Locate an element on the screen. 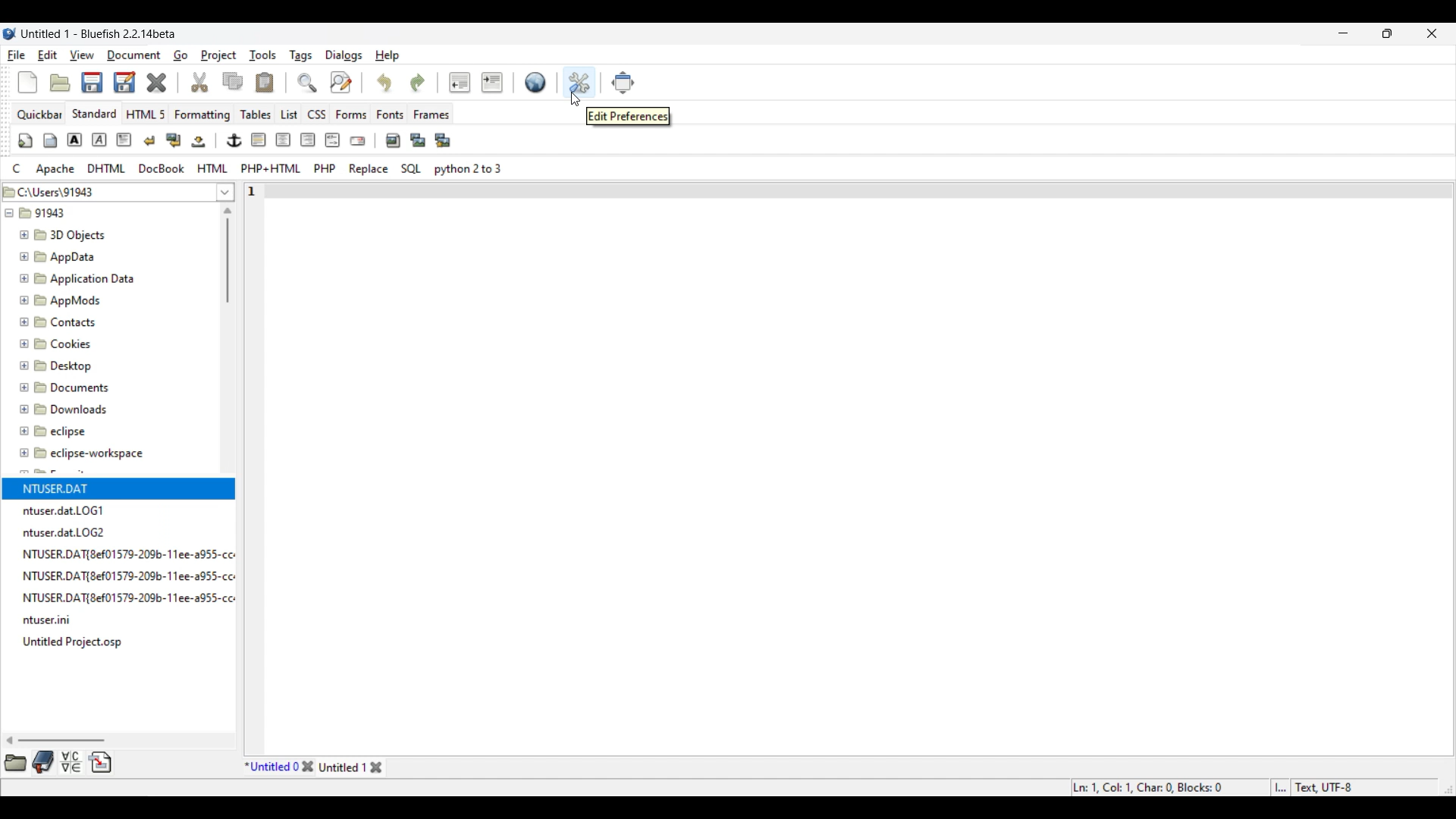  ntuser.ini is located at coordinates (52, 622).